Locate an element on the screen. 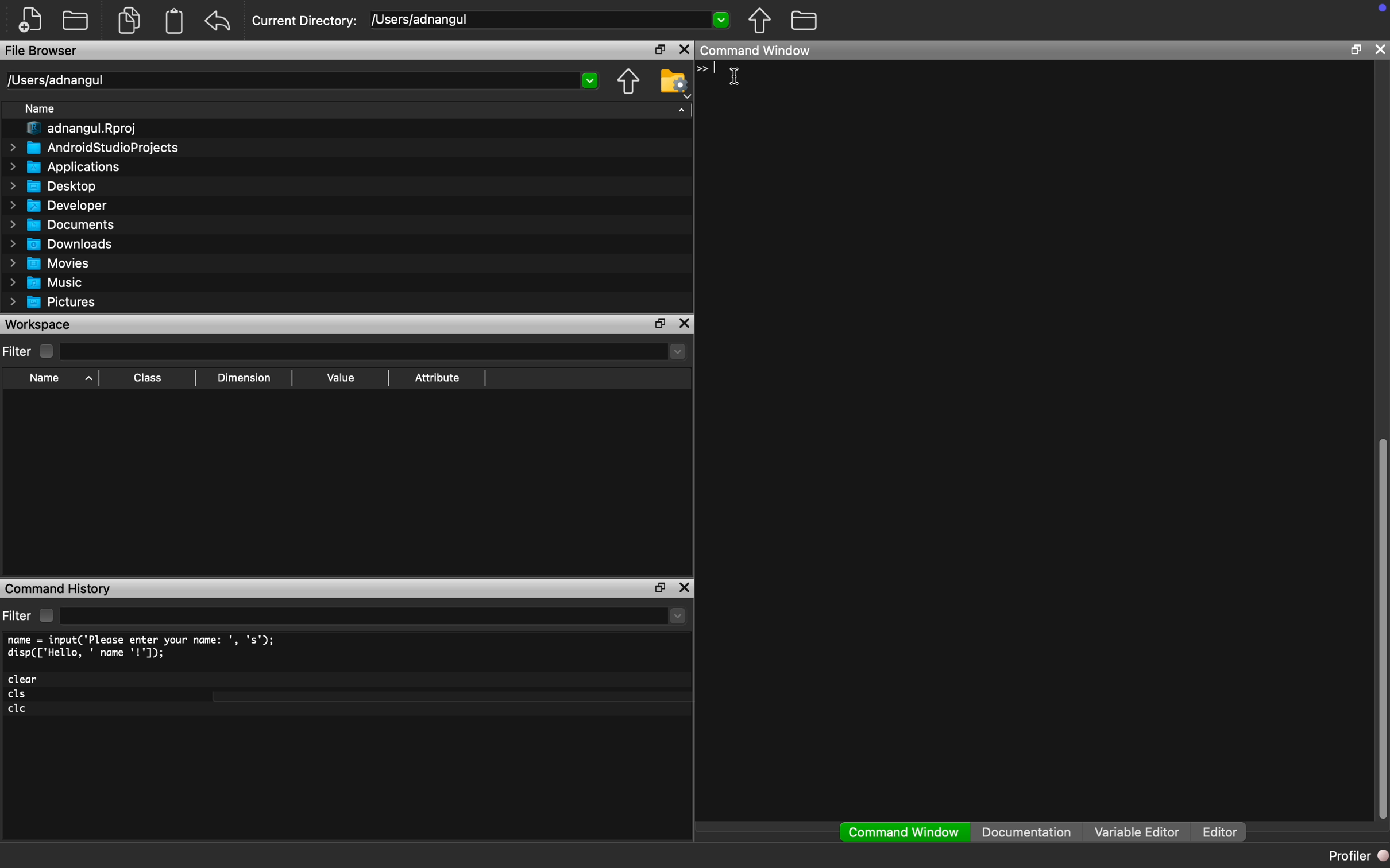 The height and width of the screenshot is (868, 1390). Folder settings is located at coordinates (675, 83).